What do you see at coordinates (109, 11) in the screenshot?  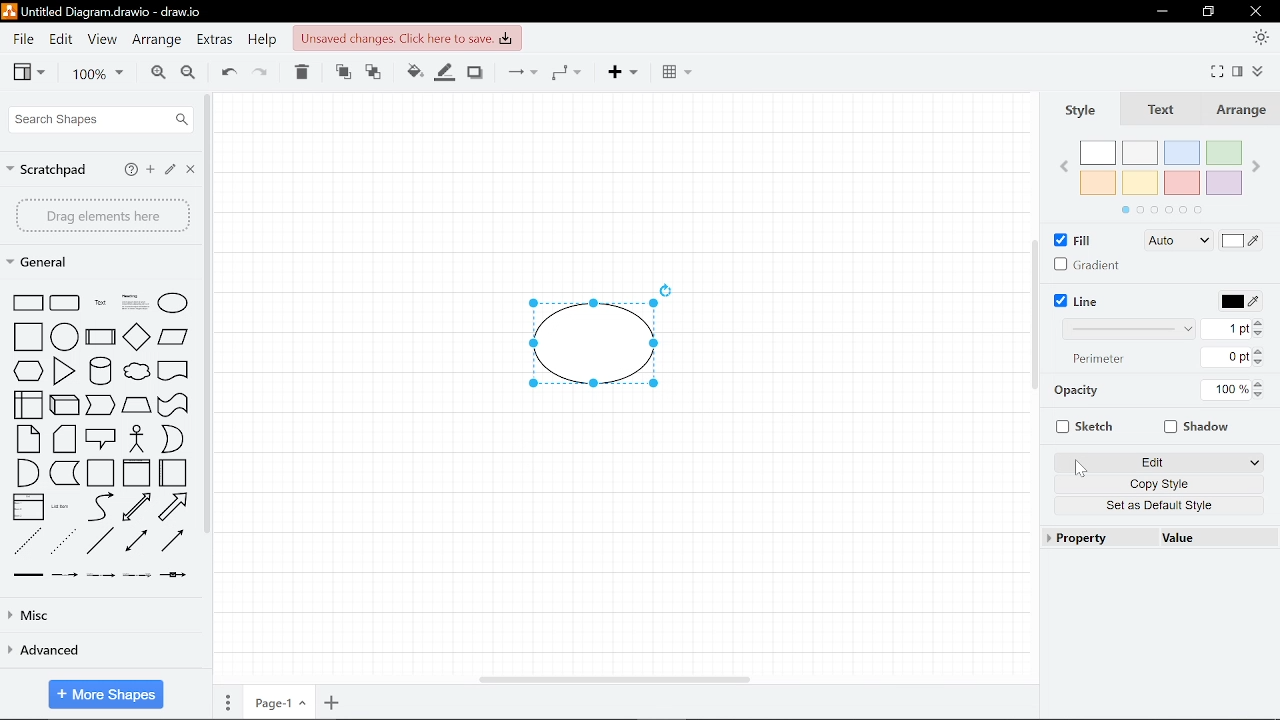 I see `Current file - Untitled Diagram.drawio - draw.io` at bounding box center [109, 11].